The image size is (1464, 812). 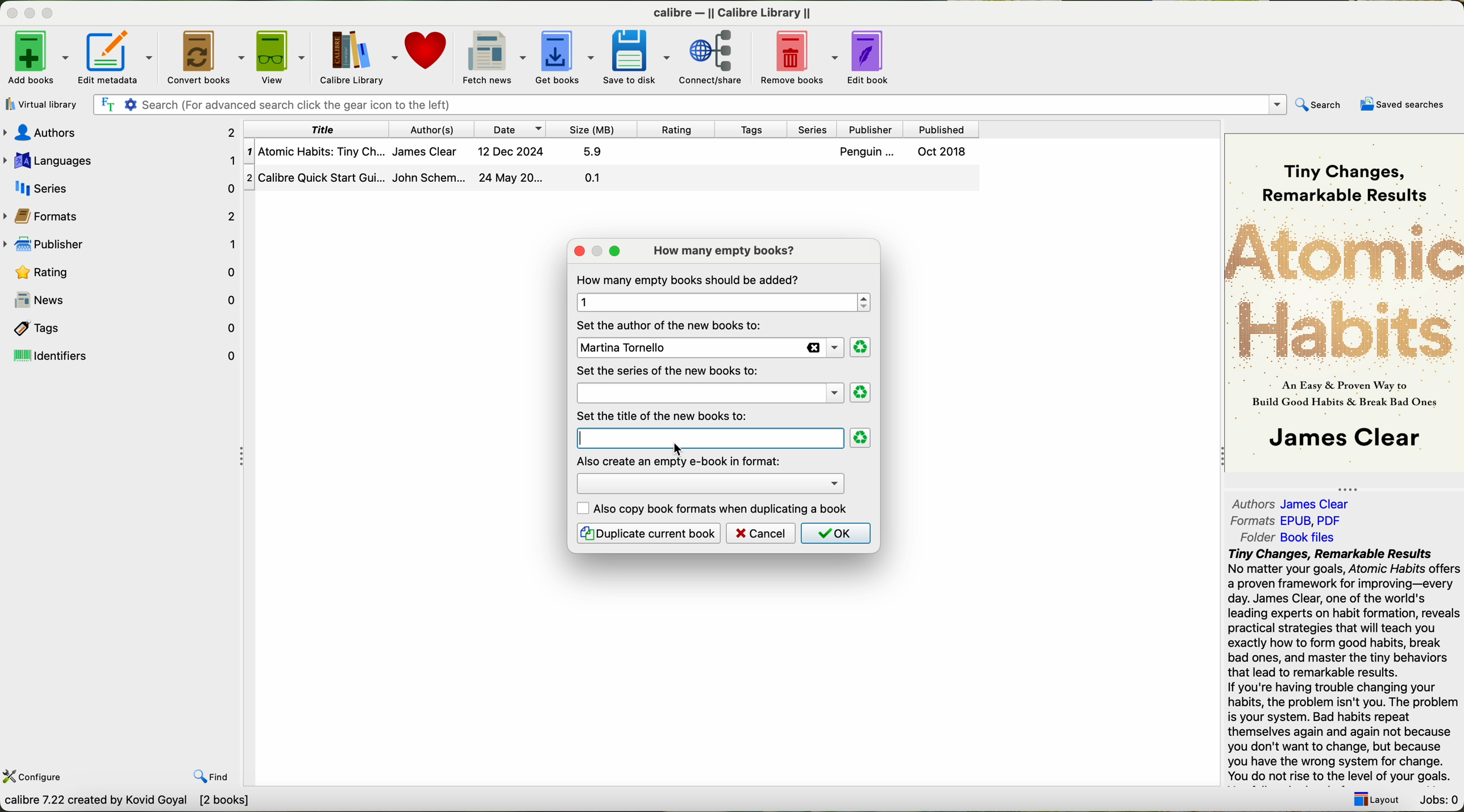 I want to click on series, so click(x=119, y=188).